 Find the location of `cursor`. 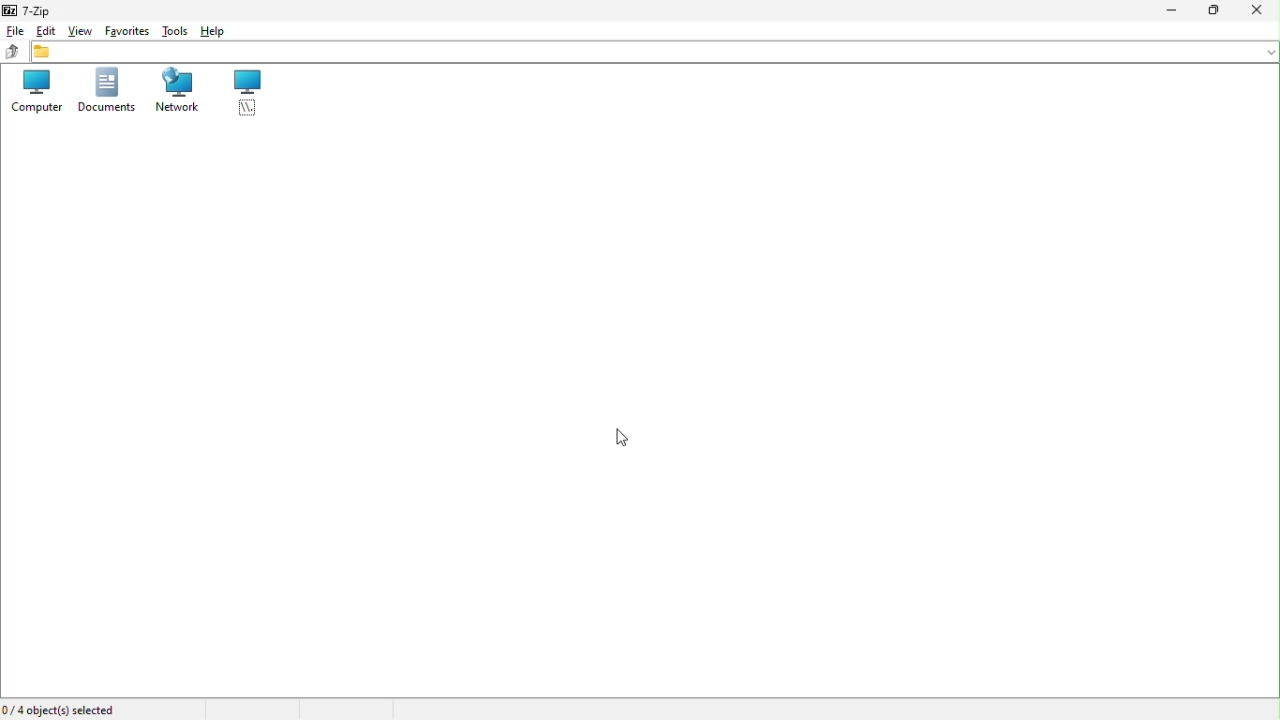

cursor is located at coordinates (626, 439).